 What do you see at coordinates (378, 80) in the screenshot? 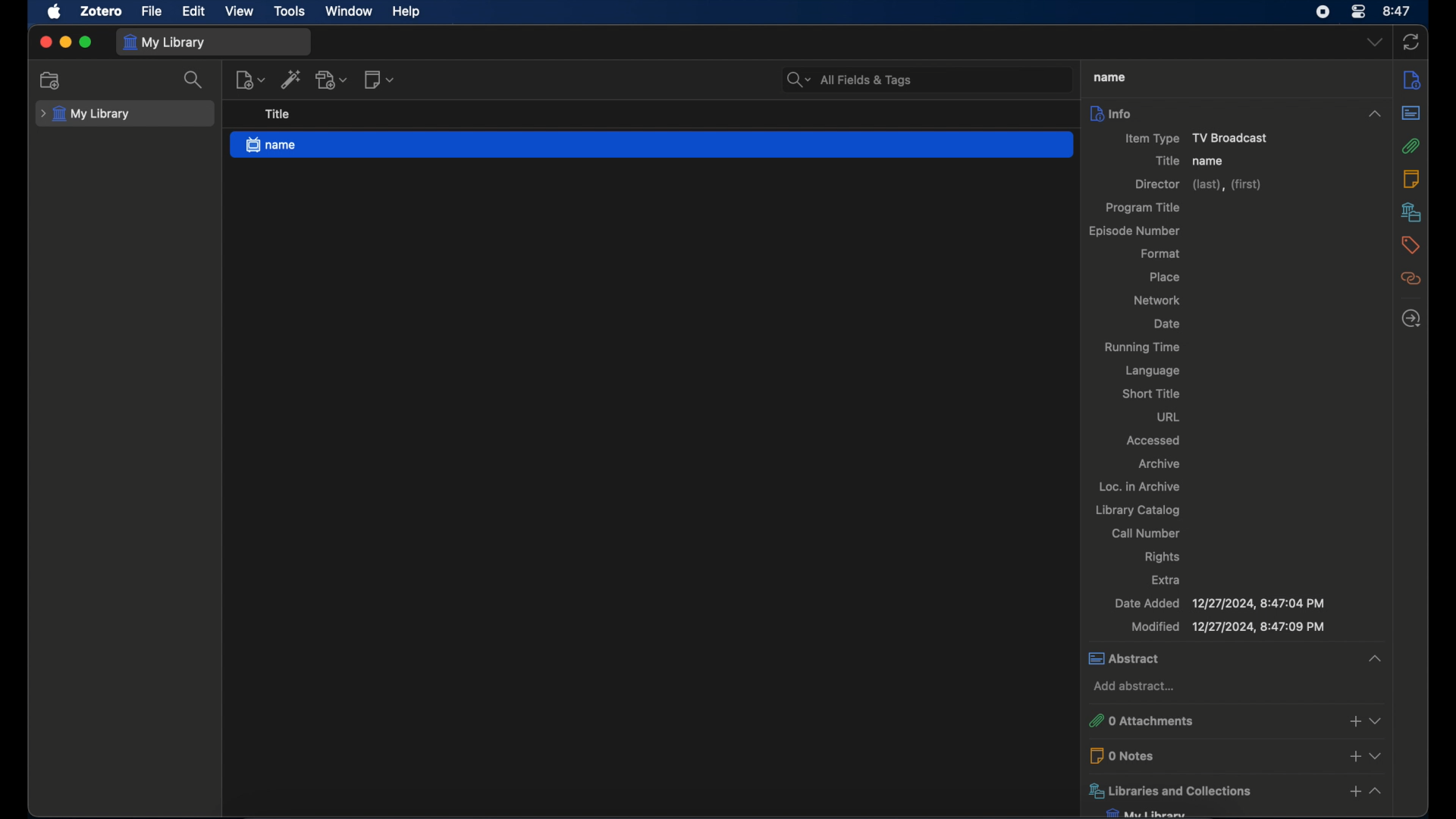
I see `new note` at bounding box center [378, 80].